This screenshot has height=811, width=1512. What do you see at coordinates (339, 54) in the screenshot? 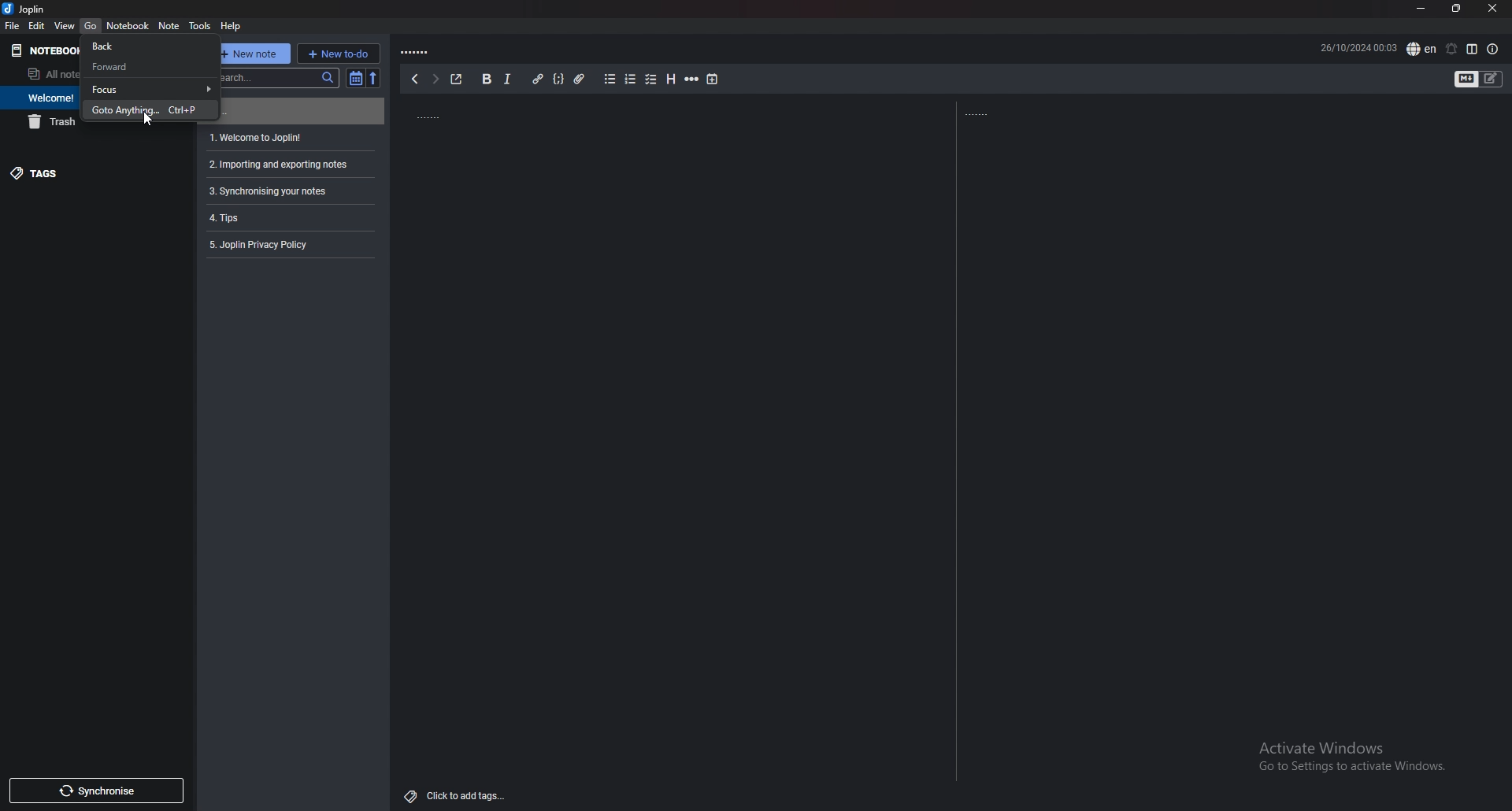
I see `new todo` at bounding box center [339, 54].